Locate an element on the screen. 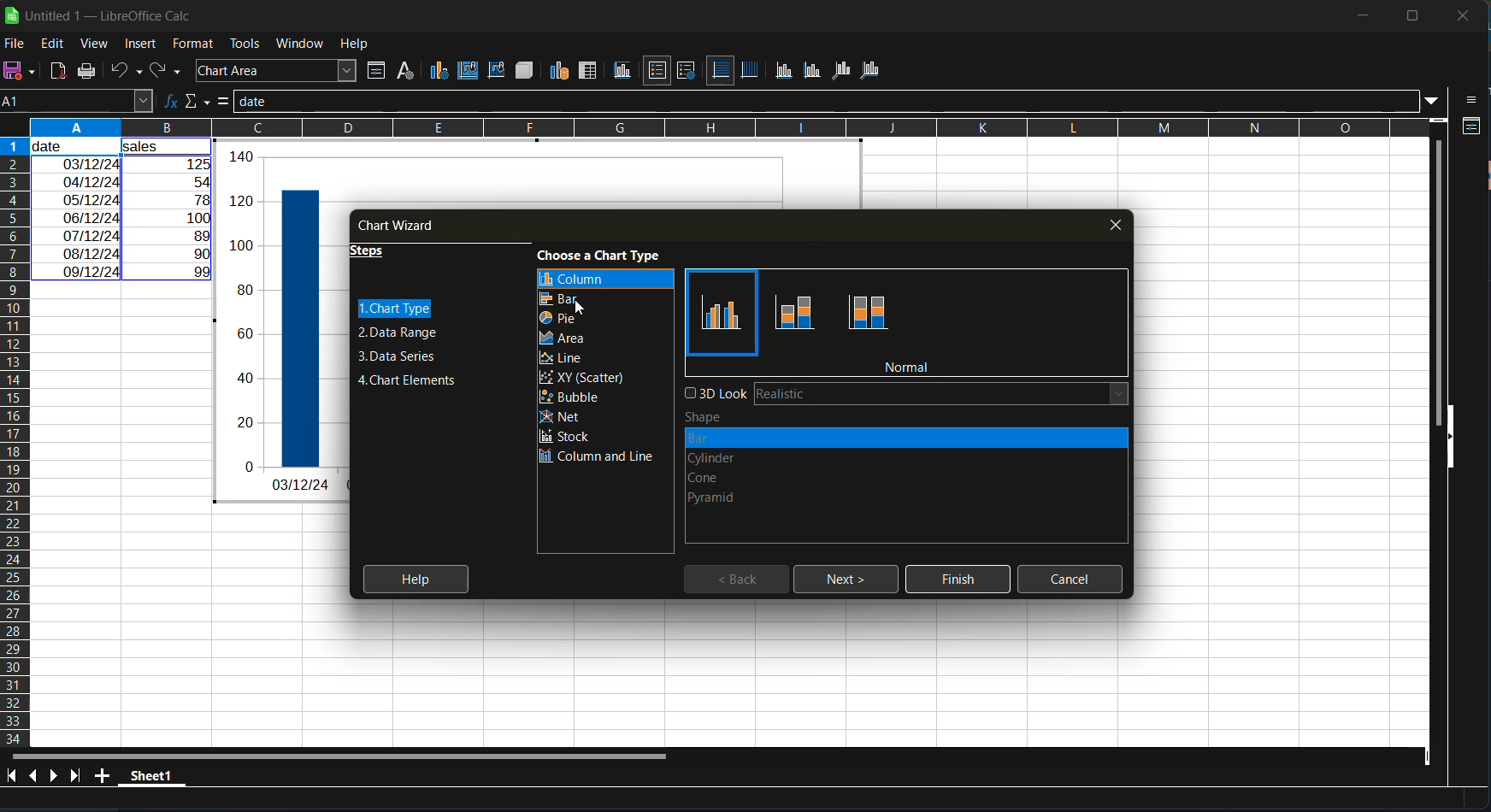 The height and width of the screenshot is (812, 1491). next is located at coordinates (841, 580).